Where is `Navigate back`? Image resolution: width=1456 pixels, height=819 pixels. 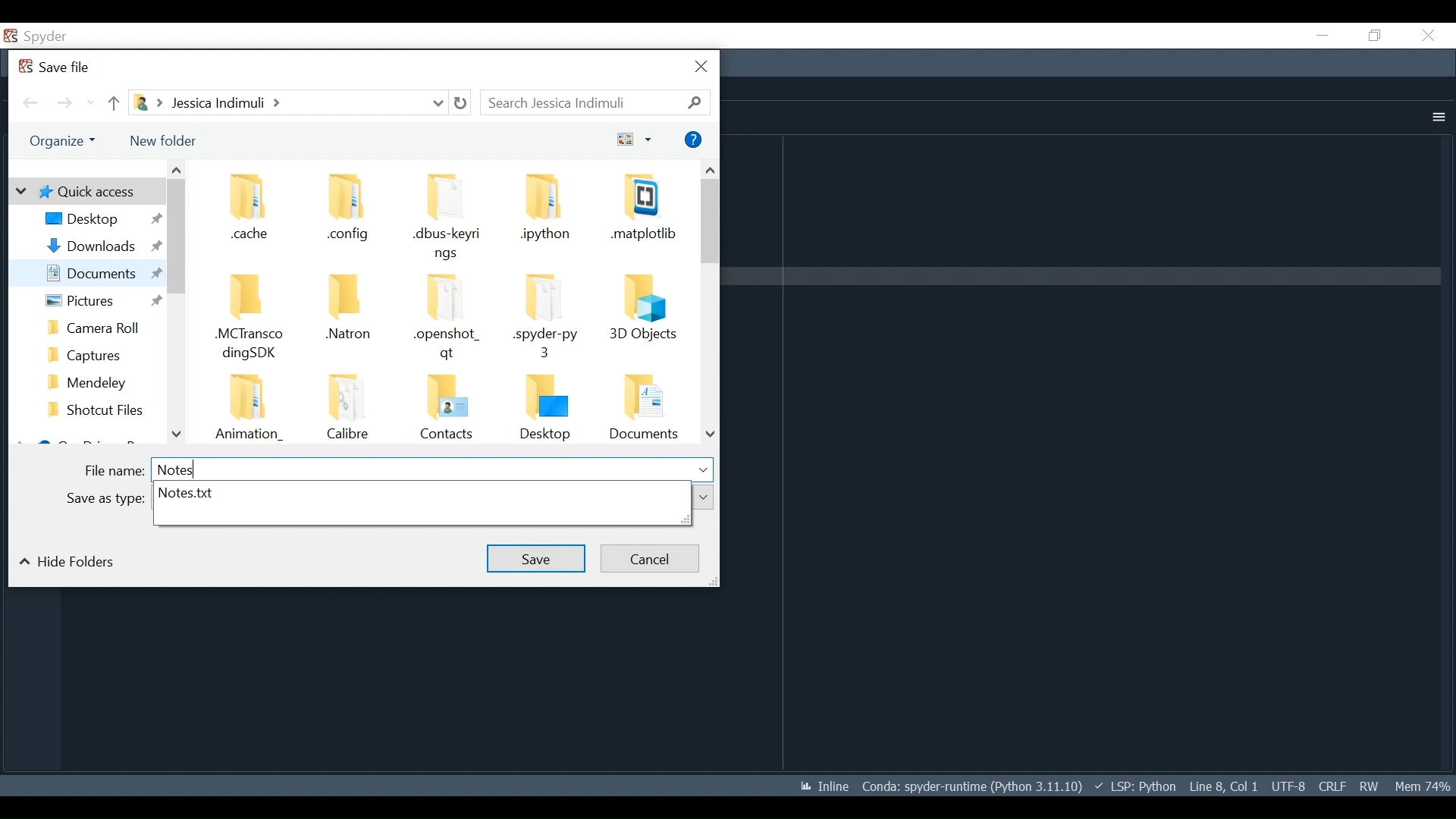 Navigate back is located at coordinates (30, 103).